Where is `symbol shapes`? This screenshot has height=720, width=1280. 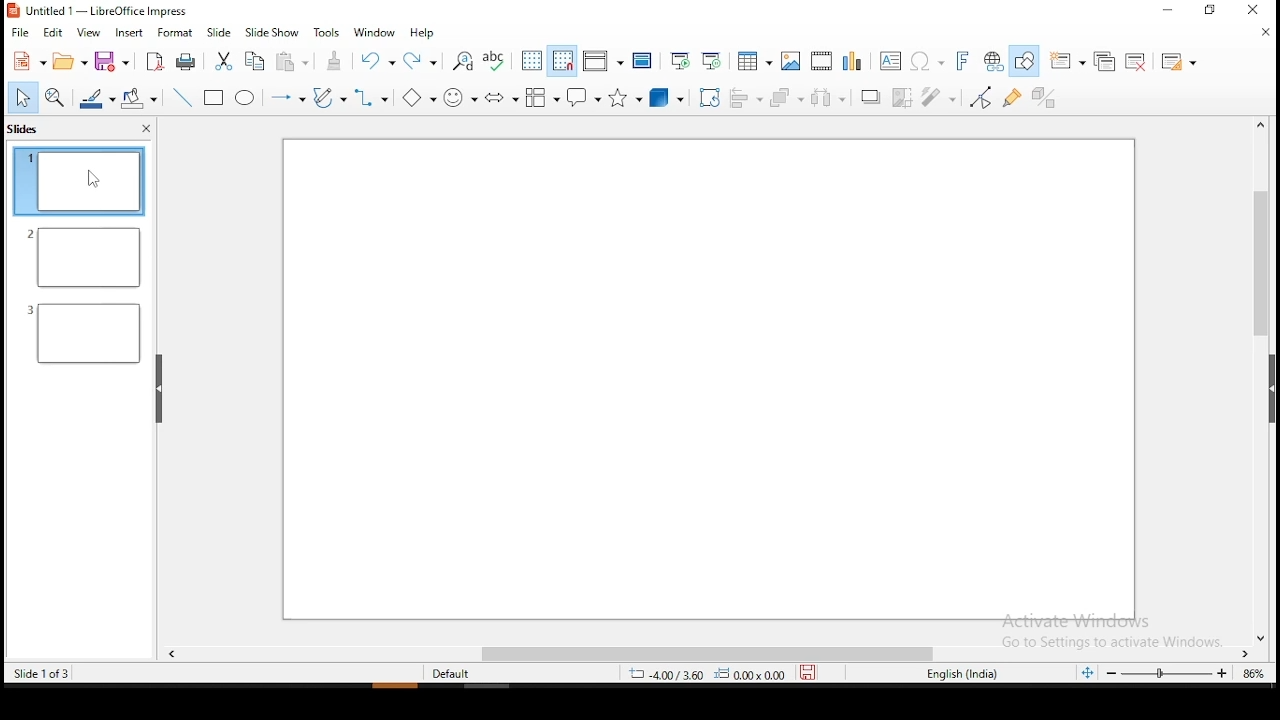
symbol shapes is located at coordinates (463, 99).